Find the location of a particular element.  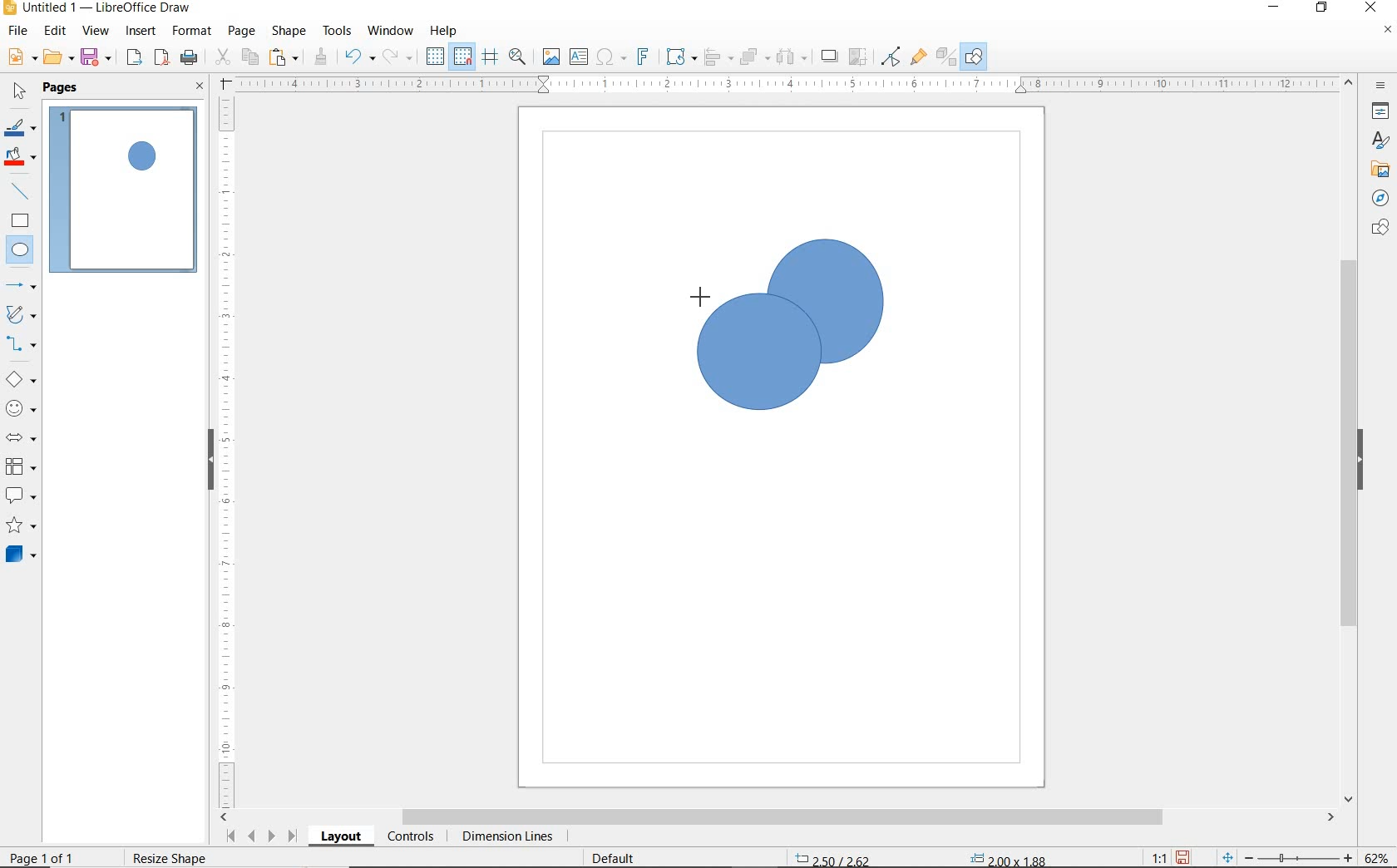

HELP is located at coordinates (444, 31).